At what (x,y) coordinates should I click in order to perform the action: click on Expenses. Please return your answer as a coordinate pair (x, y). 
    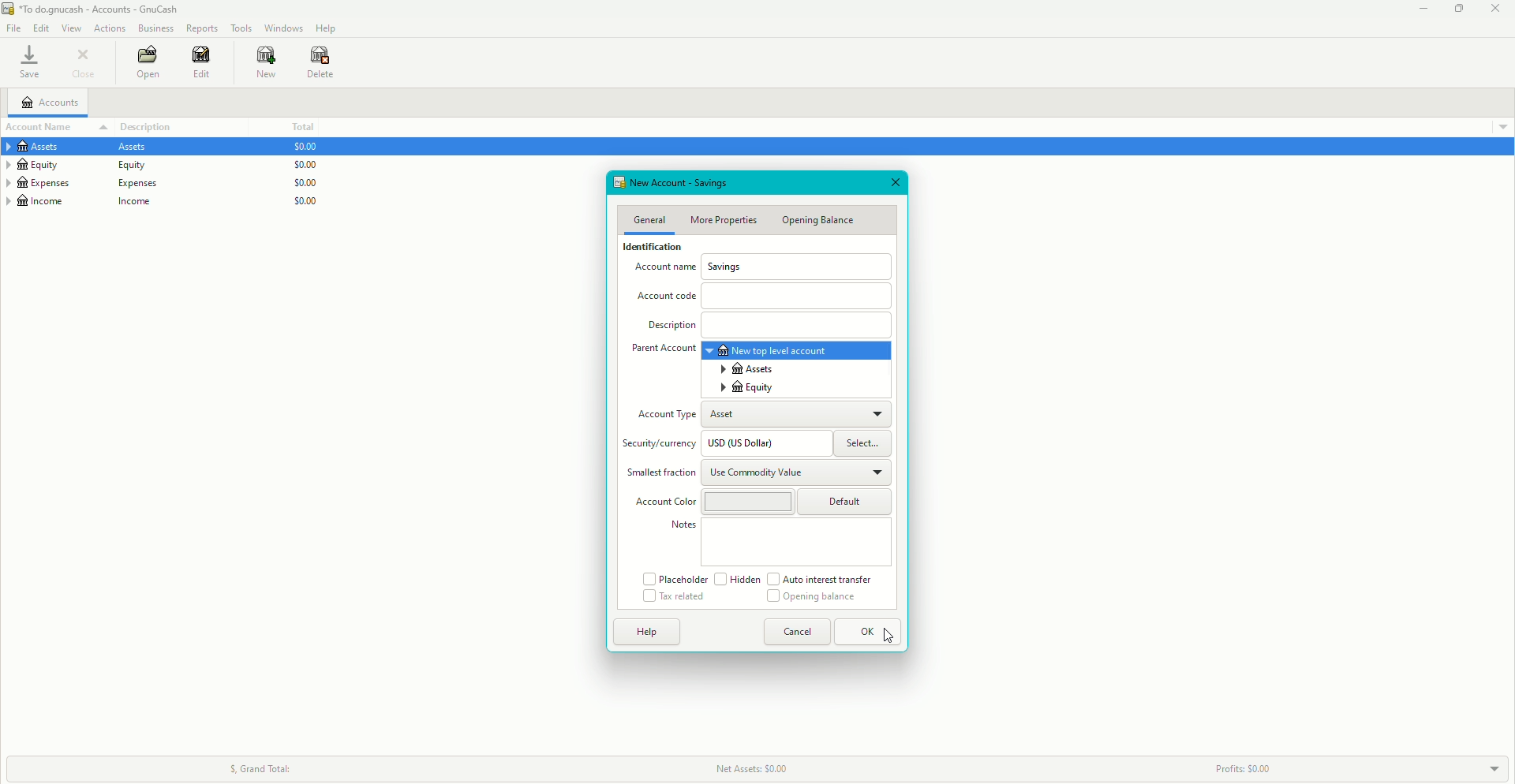
    Looking at the image, I should click on (84, 183).